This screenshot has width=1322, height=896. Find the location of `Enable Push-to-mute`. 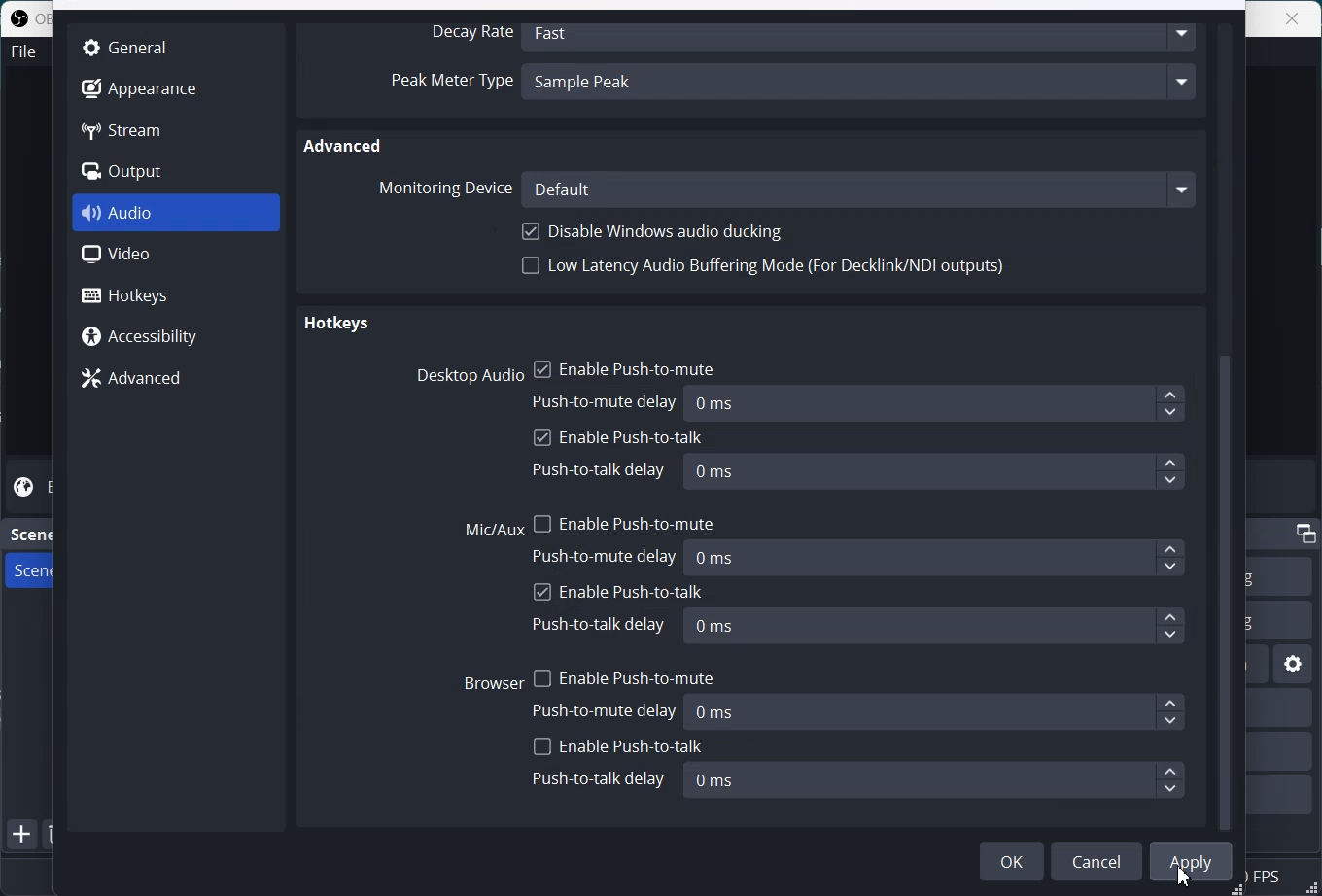

Enable Push-to-mute is located at coordinates (625, 520).